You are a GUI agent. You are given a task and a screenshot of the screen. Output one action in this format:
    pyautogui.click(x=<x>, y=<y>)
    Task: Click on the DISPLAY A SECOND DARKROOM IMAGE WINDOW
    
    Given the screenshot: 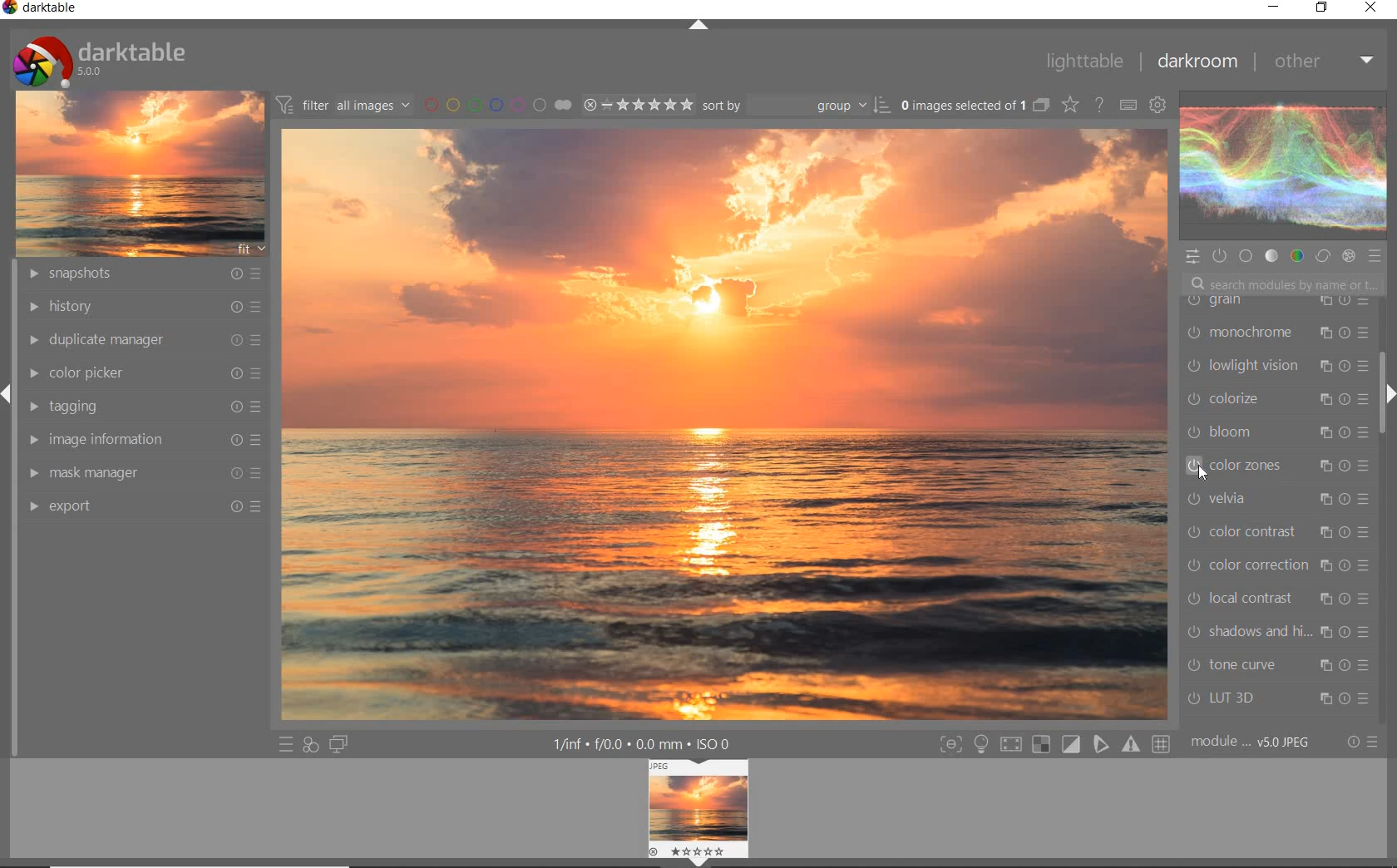 What is the action you would take?
    pyautogui.click(x=338, y=746)
    